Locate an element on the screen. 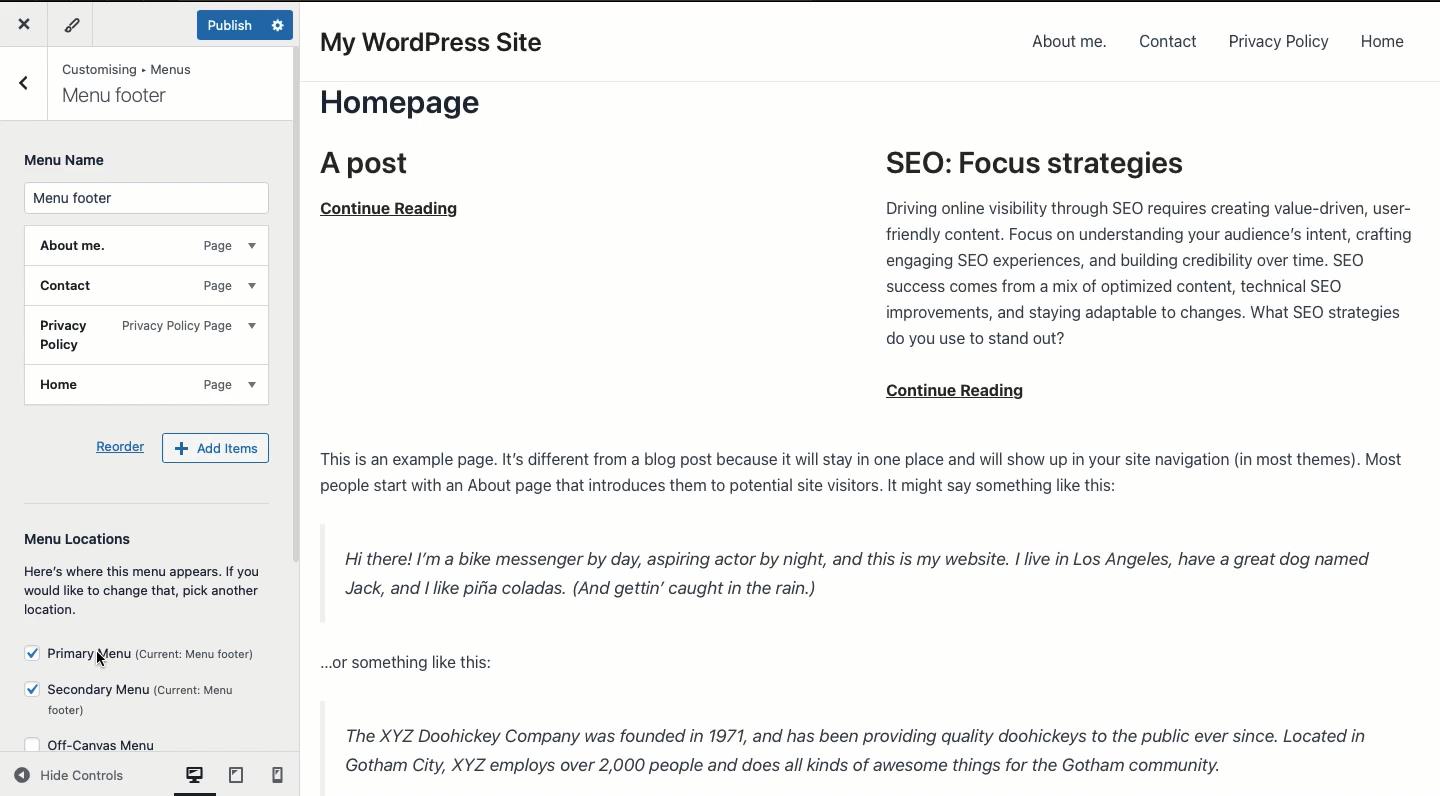 The height and width of the screenshot is (796, 1440). computer View is located at coordinates (193, 779).